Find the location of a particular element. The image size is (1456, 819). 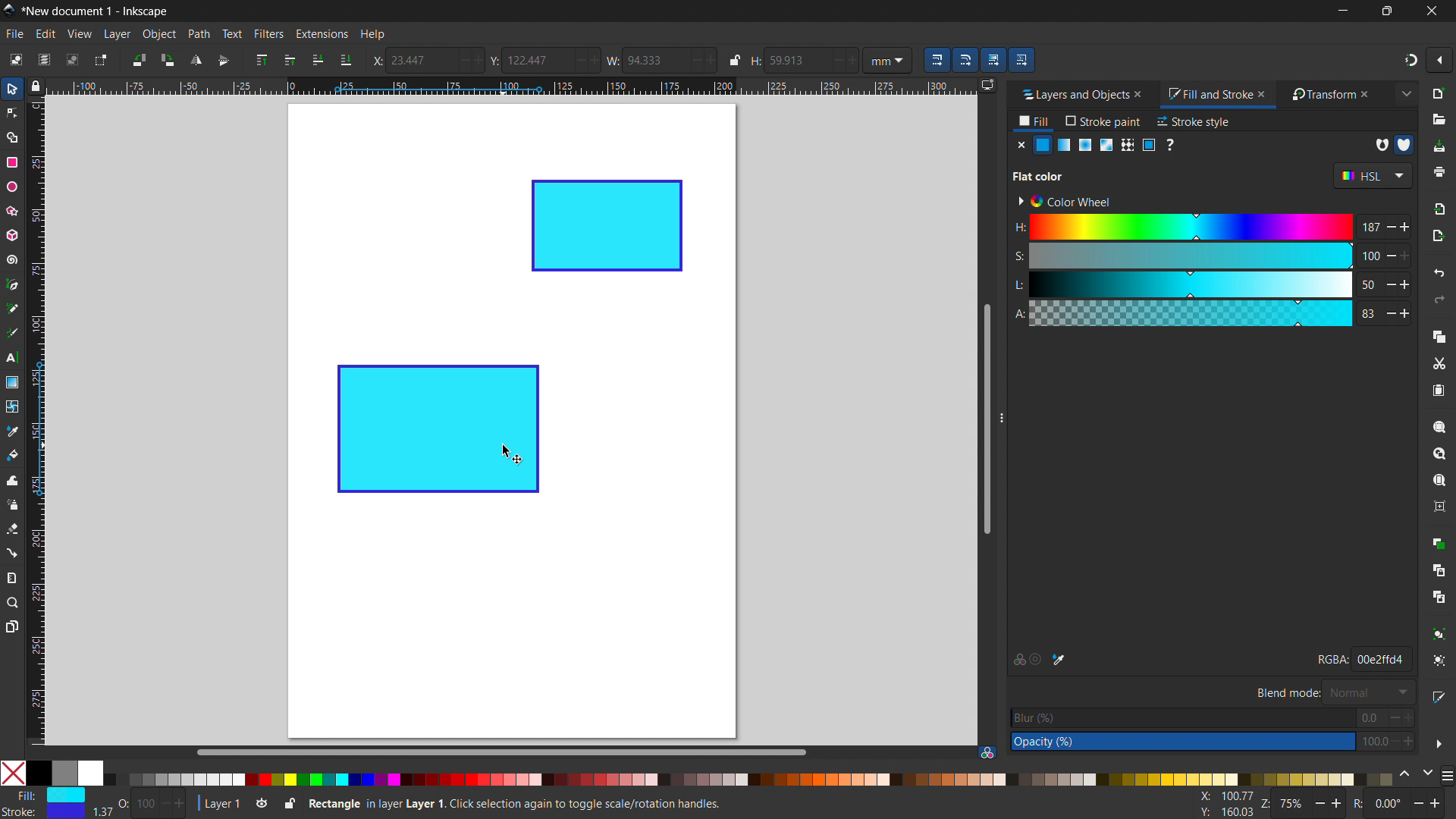

select all is located at coordinates (14, 59).